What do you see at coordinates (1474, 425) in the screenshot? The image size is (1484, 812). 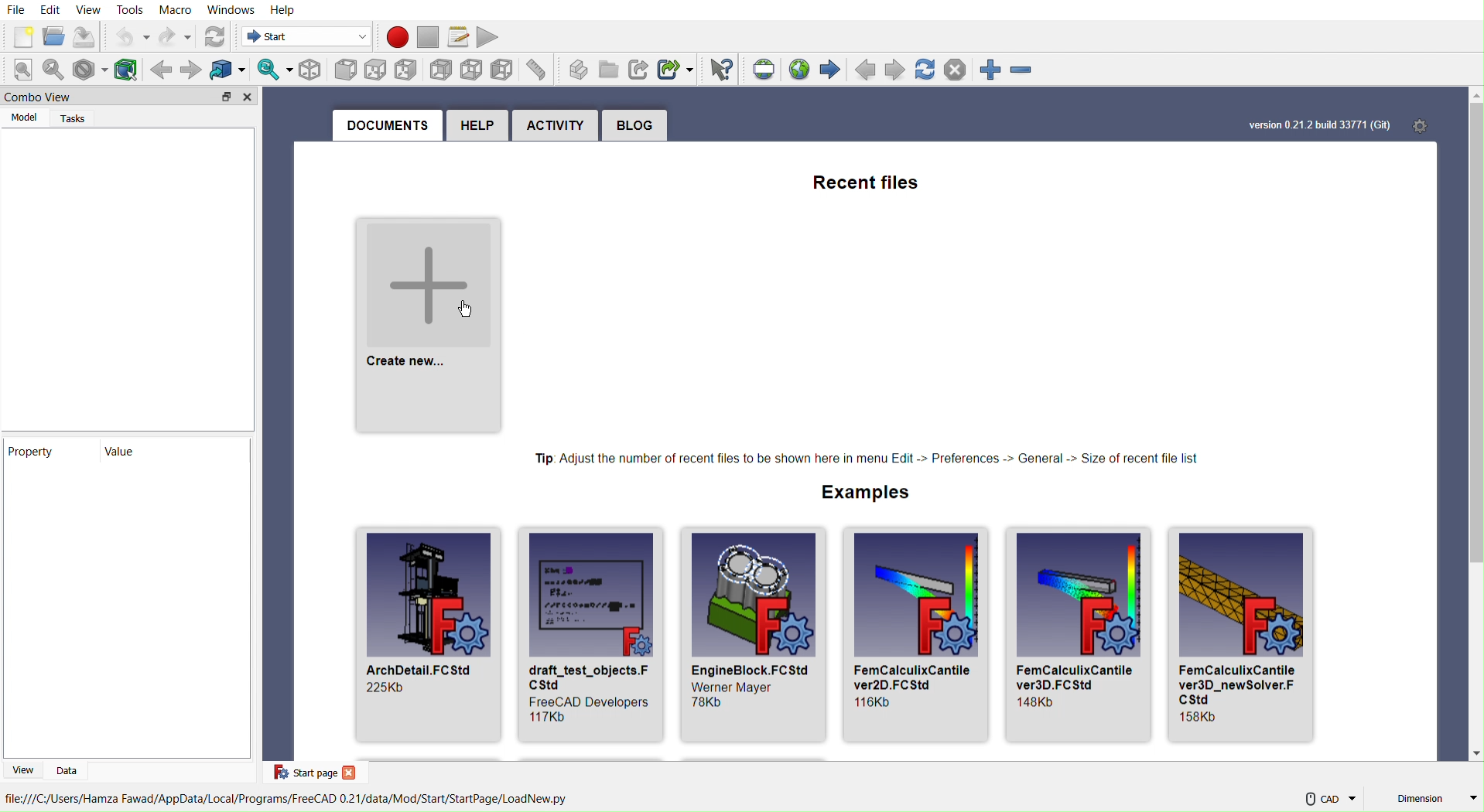 I see `Scrollbar` at bounding box center [1474, 425].